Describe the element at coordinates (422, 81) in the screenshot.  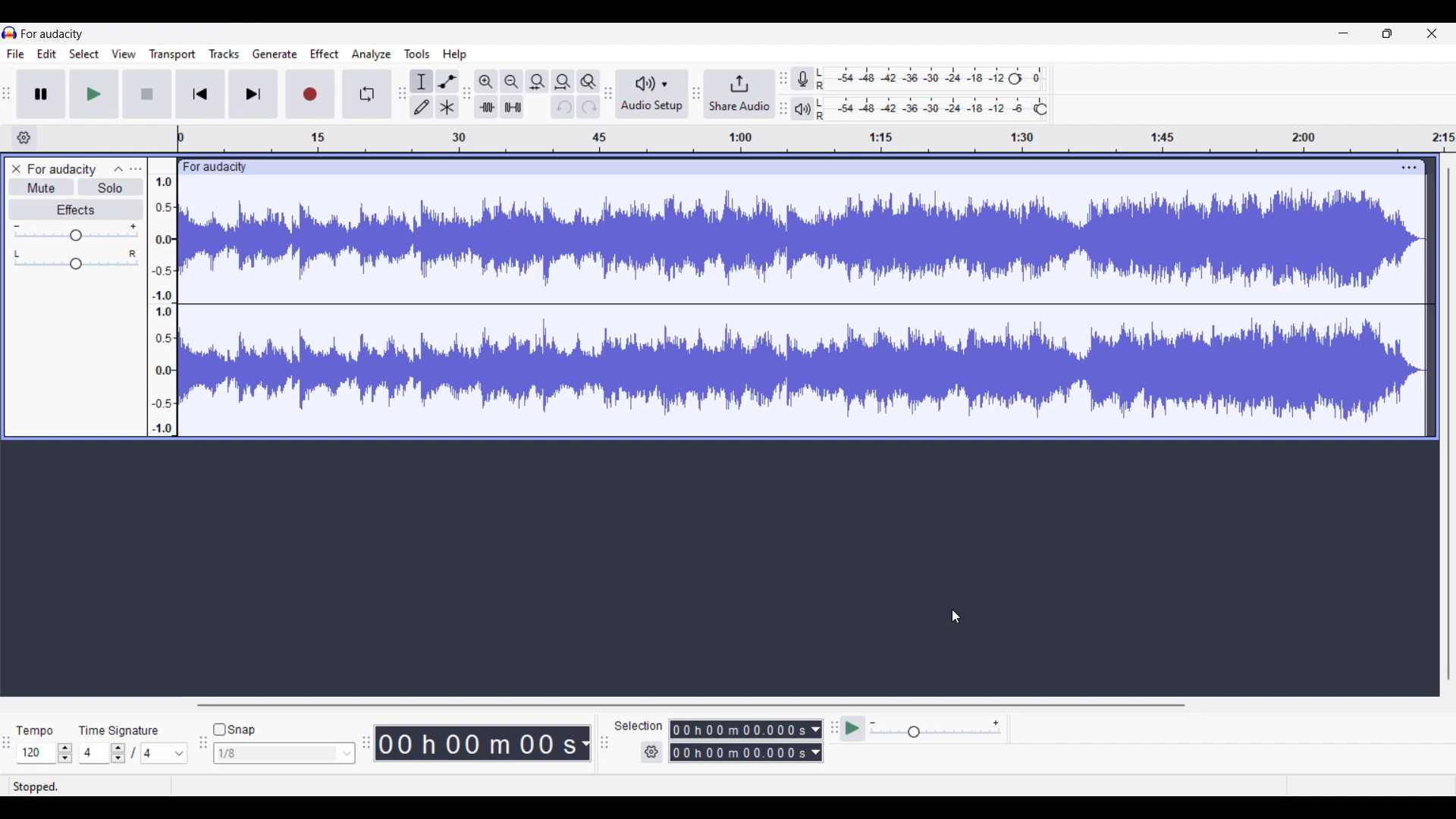
I see `Selection tool` at that location.